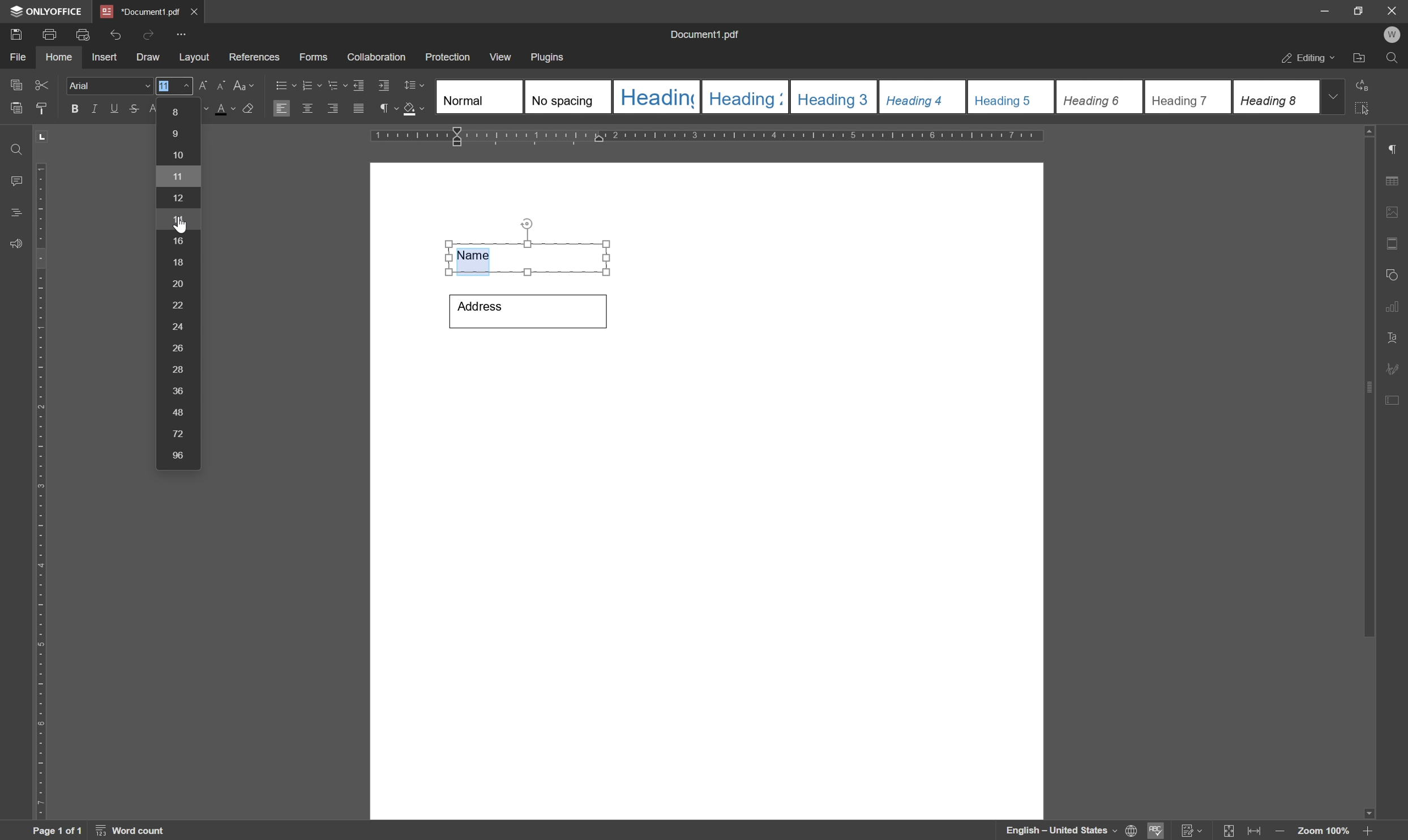 The image size is (1408, 840). Describe the element at coordinates (57, 831) in the screenshot. I see `page 1 of 1` at that location.